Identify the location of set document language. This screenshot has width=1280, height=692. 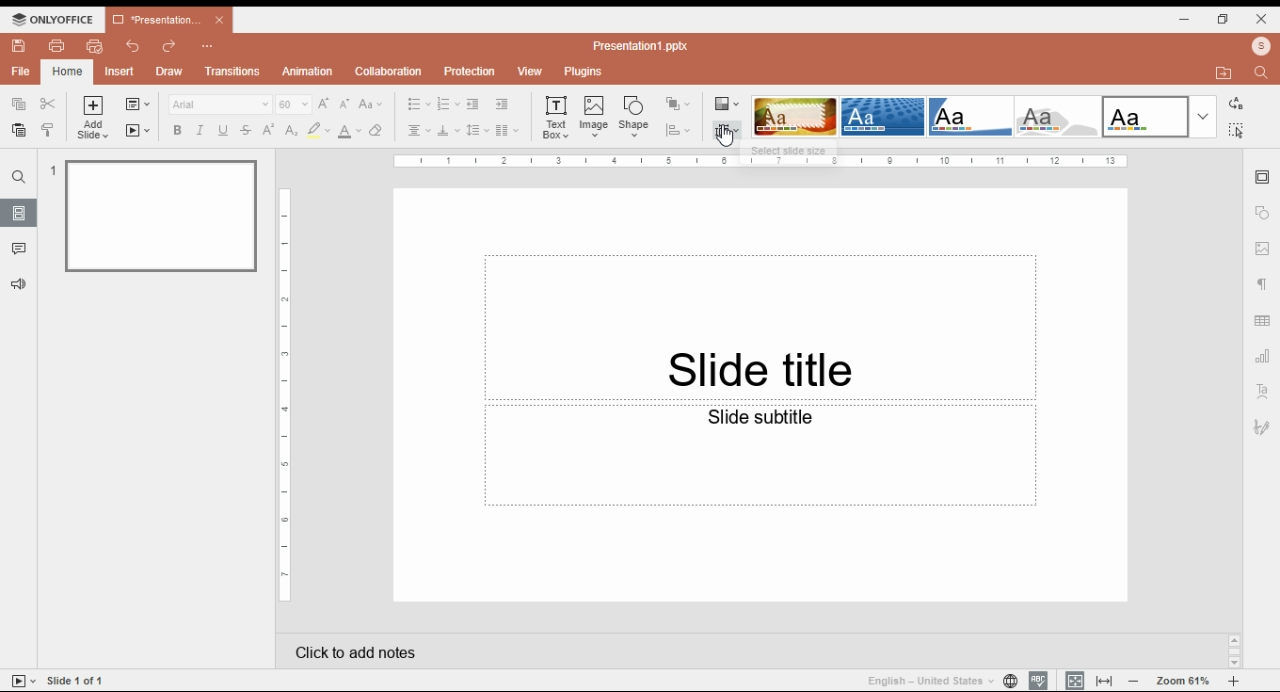
(1010, 680).